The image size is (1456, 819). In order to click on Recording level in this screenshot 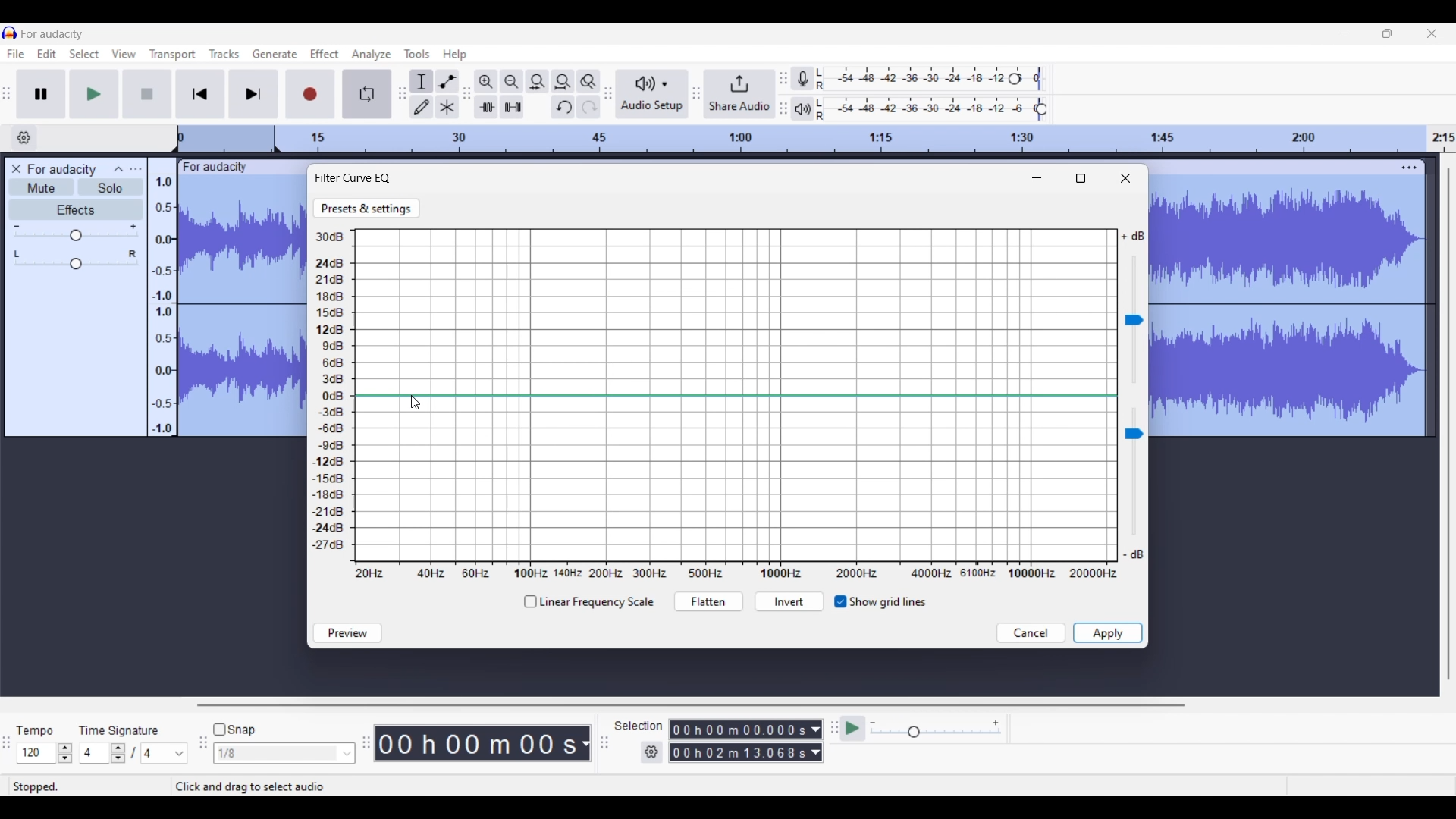, I will do `click(915, 79)`.